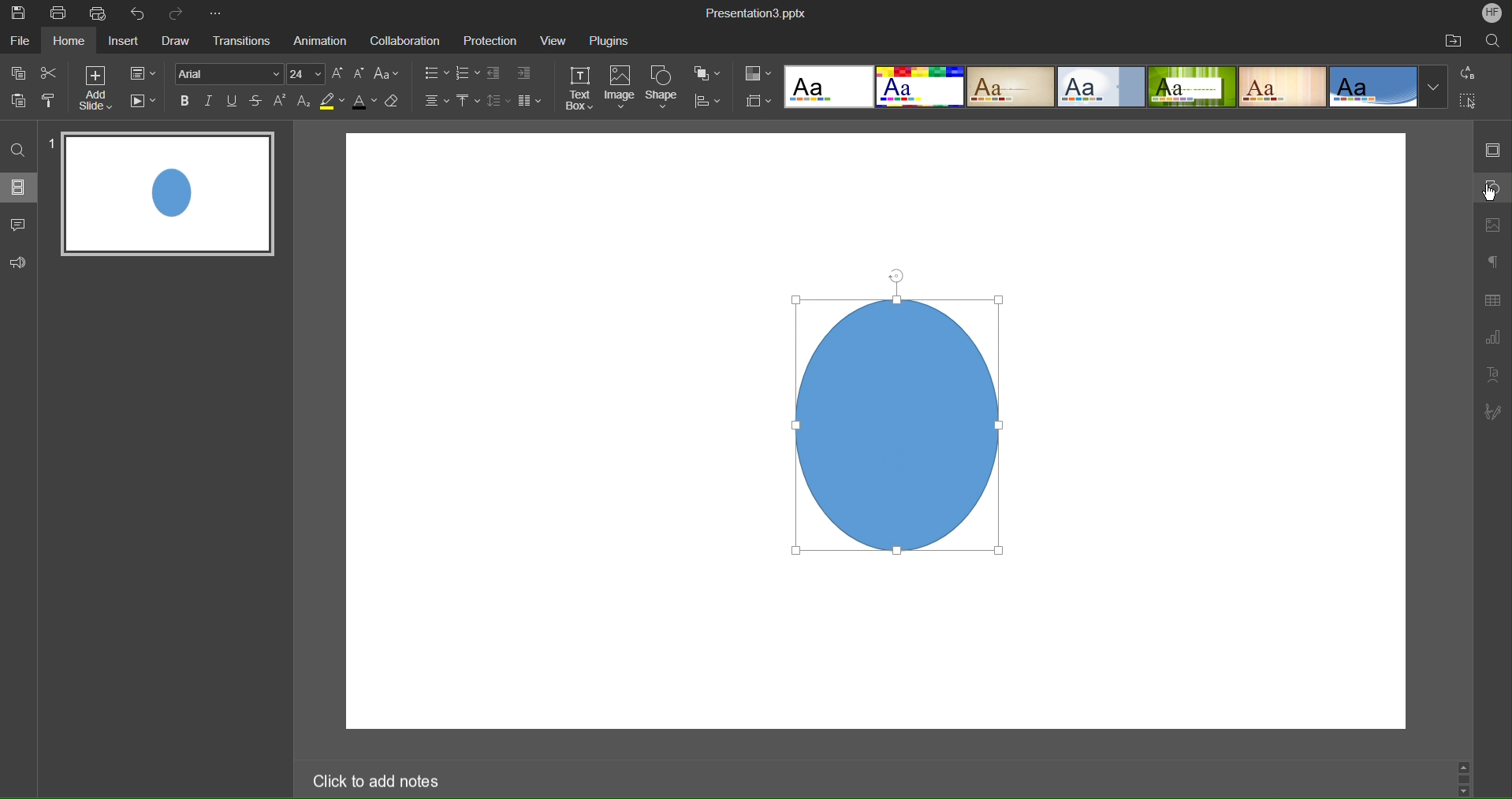 The image size is (1512, 799). What do you see at coordinates (1492, 188) in the screenshot?
I see `Shape Settings` at bounding box center [1492, 188].